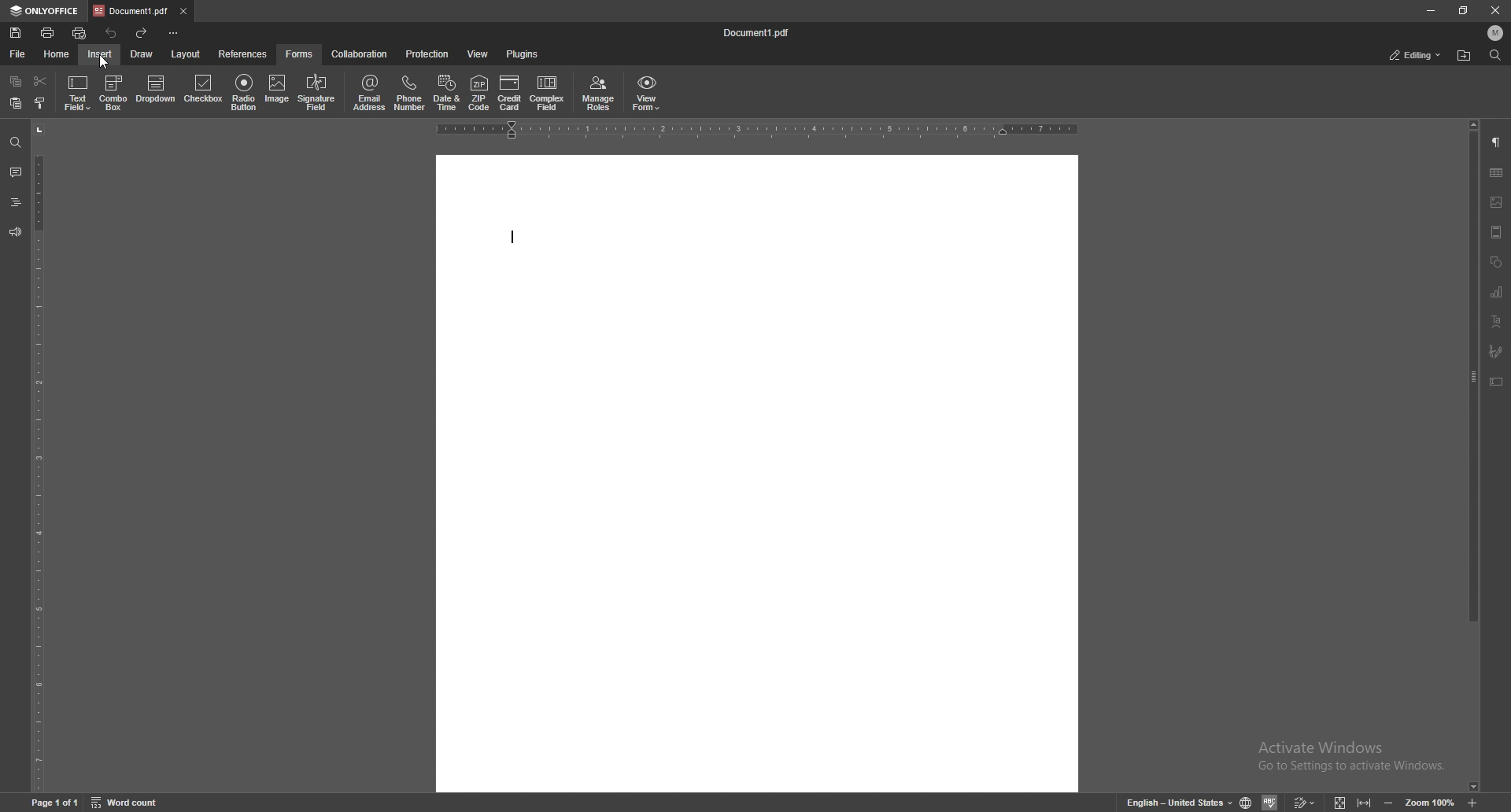  Describe the element at coordinates (447, 93) in the screenshot. I see `date and time` at that location.